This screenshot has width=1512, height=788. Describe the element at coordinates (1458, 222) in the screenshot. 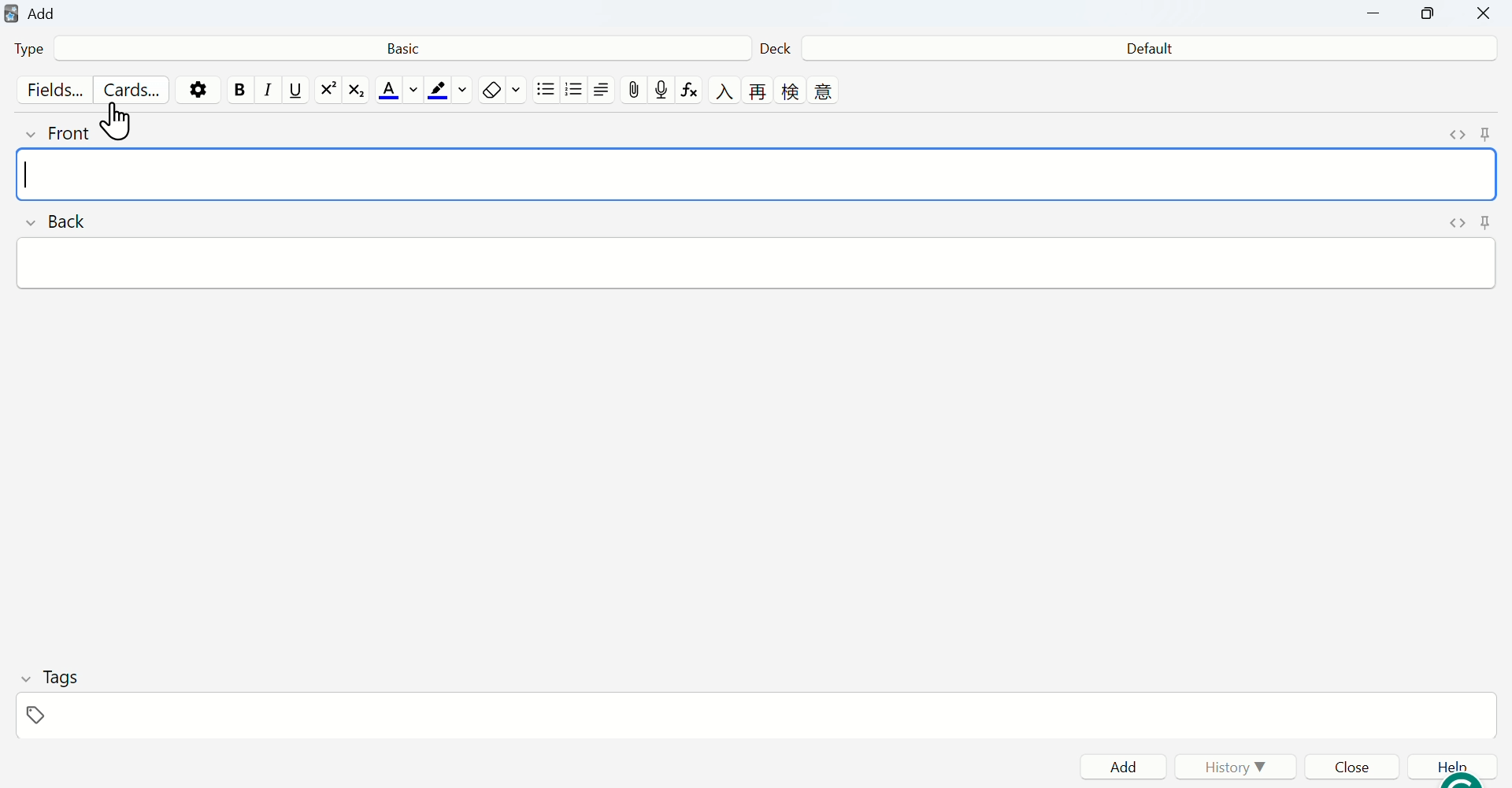

I see `toggle HTML editor` at that location.